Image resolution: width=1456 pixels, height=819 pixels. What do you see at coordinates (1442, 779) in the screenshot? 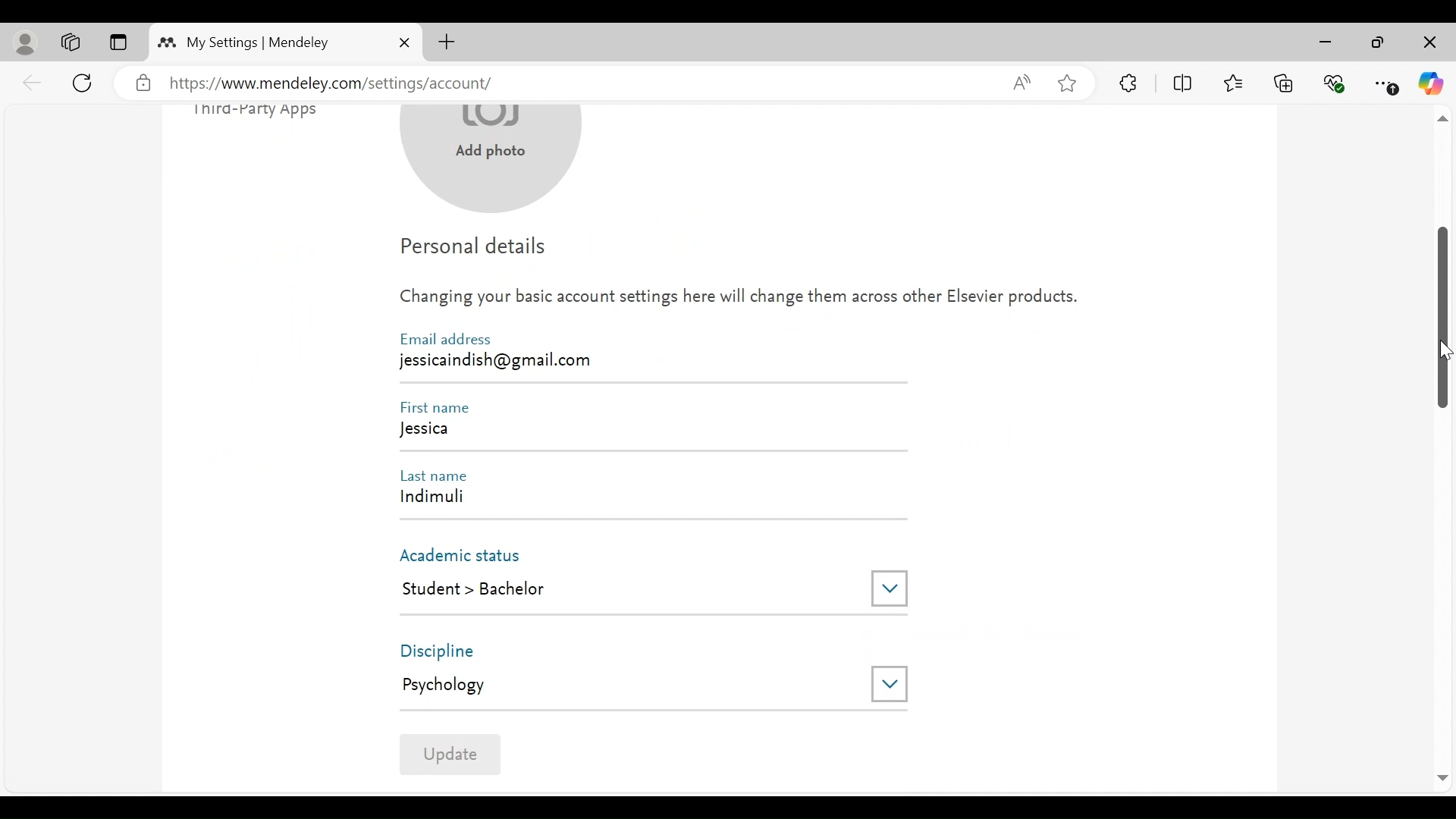
I see `Scroll Down` at bounding box center [1442, 779].